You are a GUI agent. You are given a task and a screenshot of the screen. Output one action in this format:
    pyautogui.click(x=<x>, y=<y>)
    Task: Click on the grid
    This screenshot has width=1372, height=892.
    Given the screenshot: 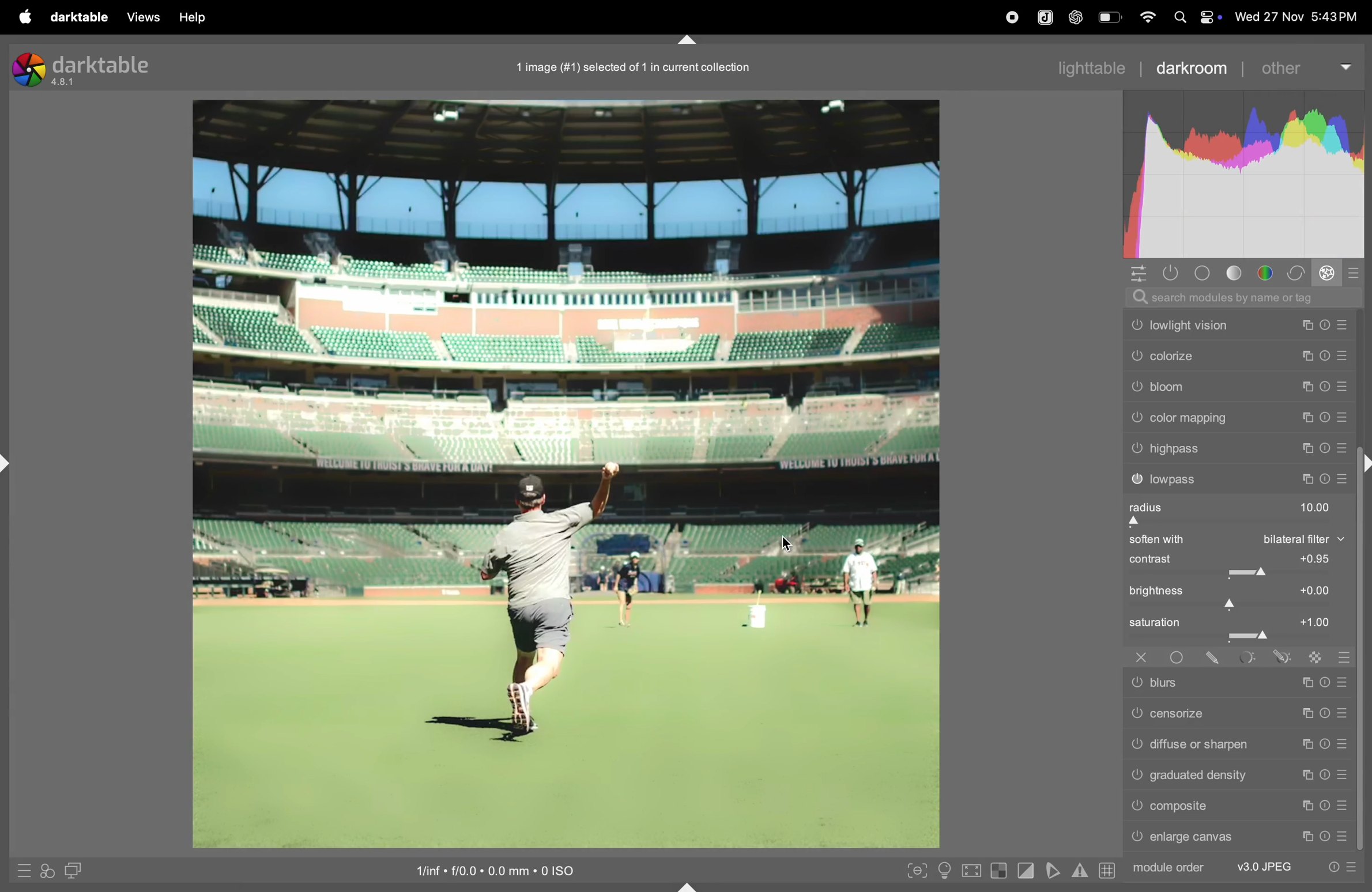 What is the action you would take?
    pyautogui.click(x=1106, y=871)
    